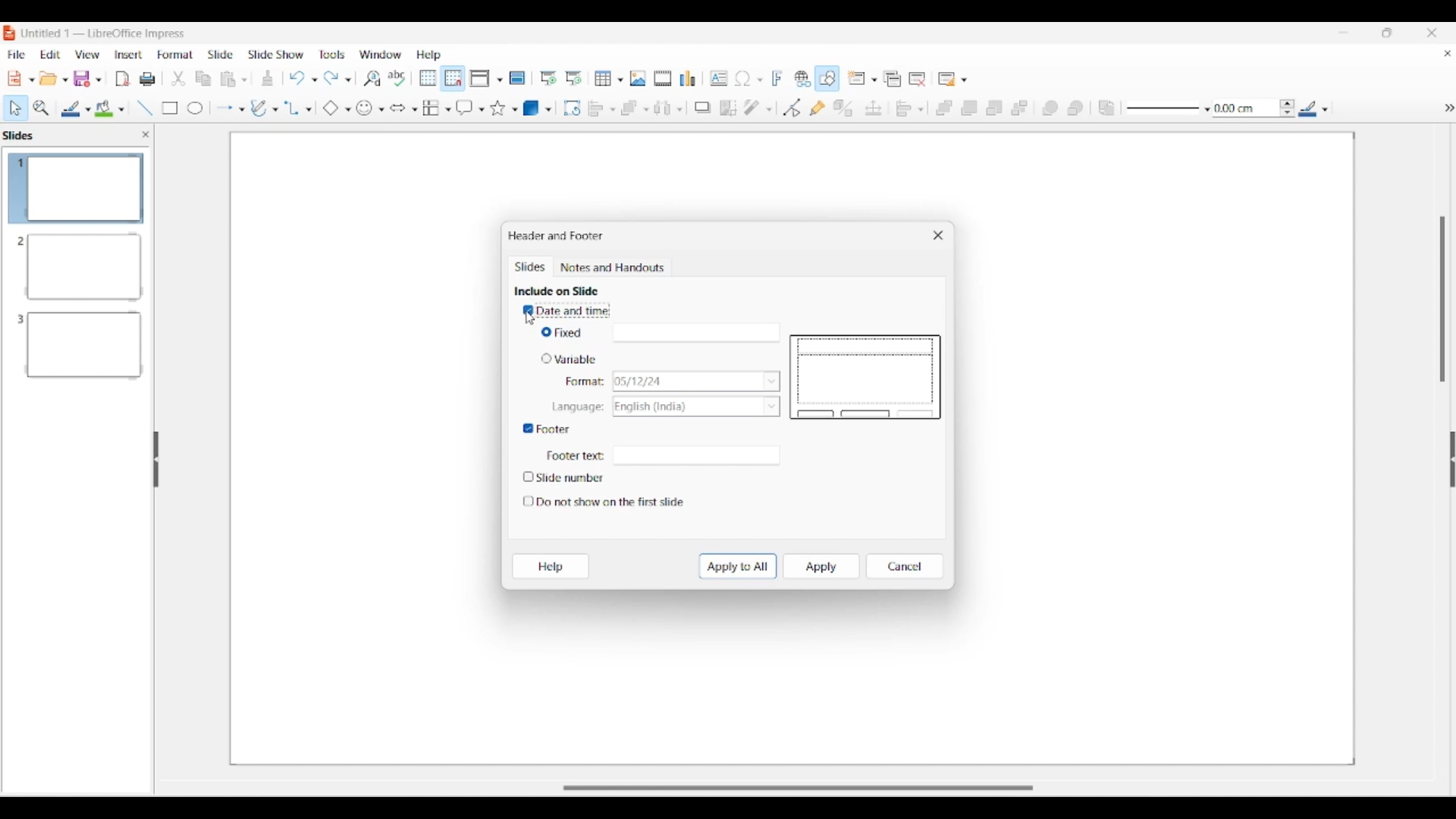  What do you see at coordinates (298, 108) in the screenshot?
I see `Connector options` at bounding box center [298, 108].